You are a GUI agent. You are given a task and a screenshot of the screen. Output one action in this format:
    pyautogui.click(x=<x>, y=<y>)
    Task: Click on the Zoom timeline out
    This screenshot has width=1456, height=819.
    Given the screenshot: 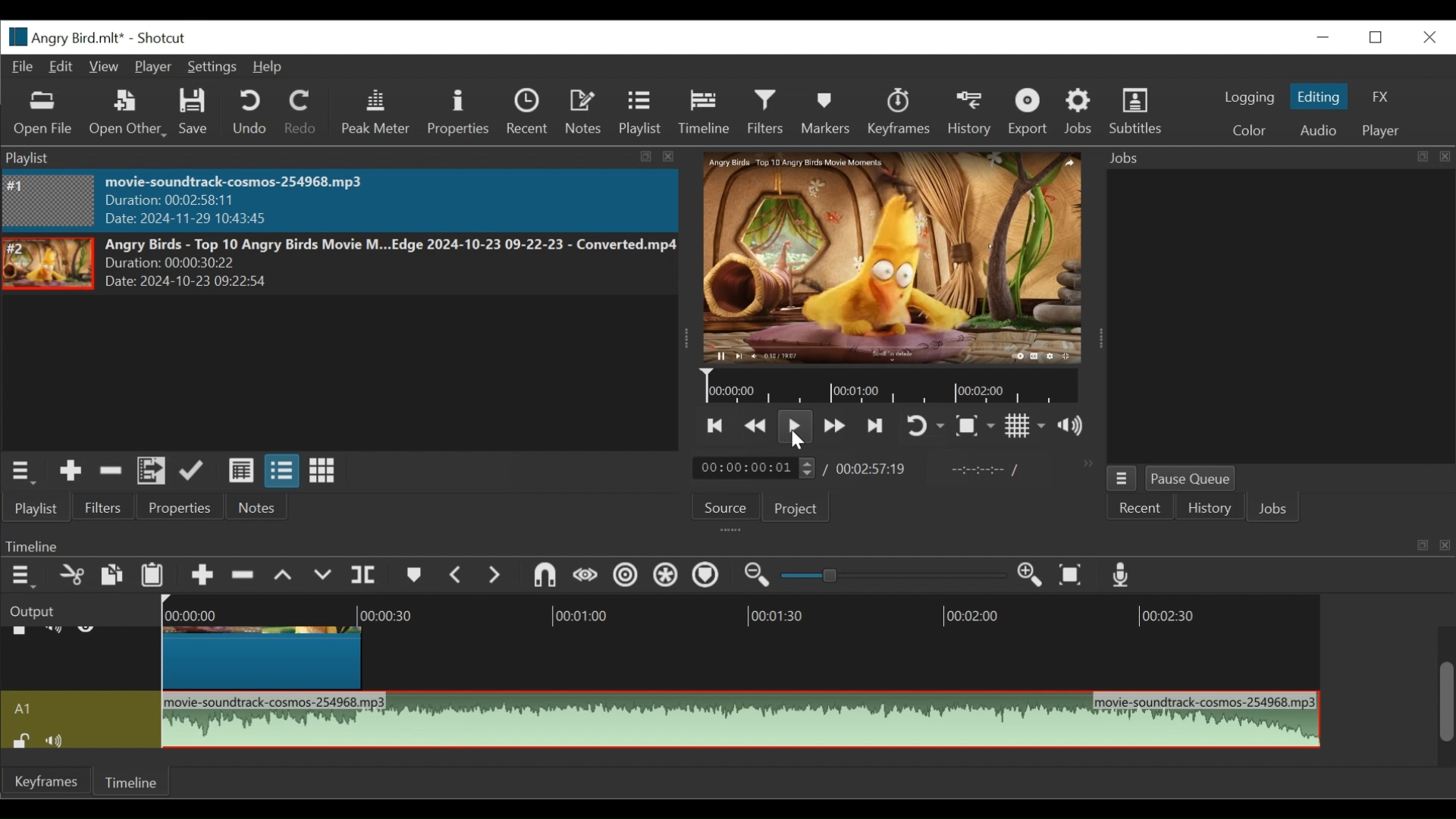 What is the action you would take?
    pyautogui.click(x=761, y=576)
    